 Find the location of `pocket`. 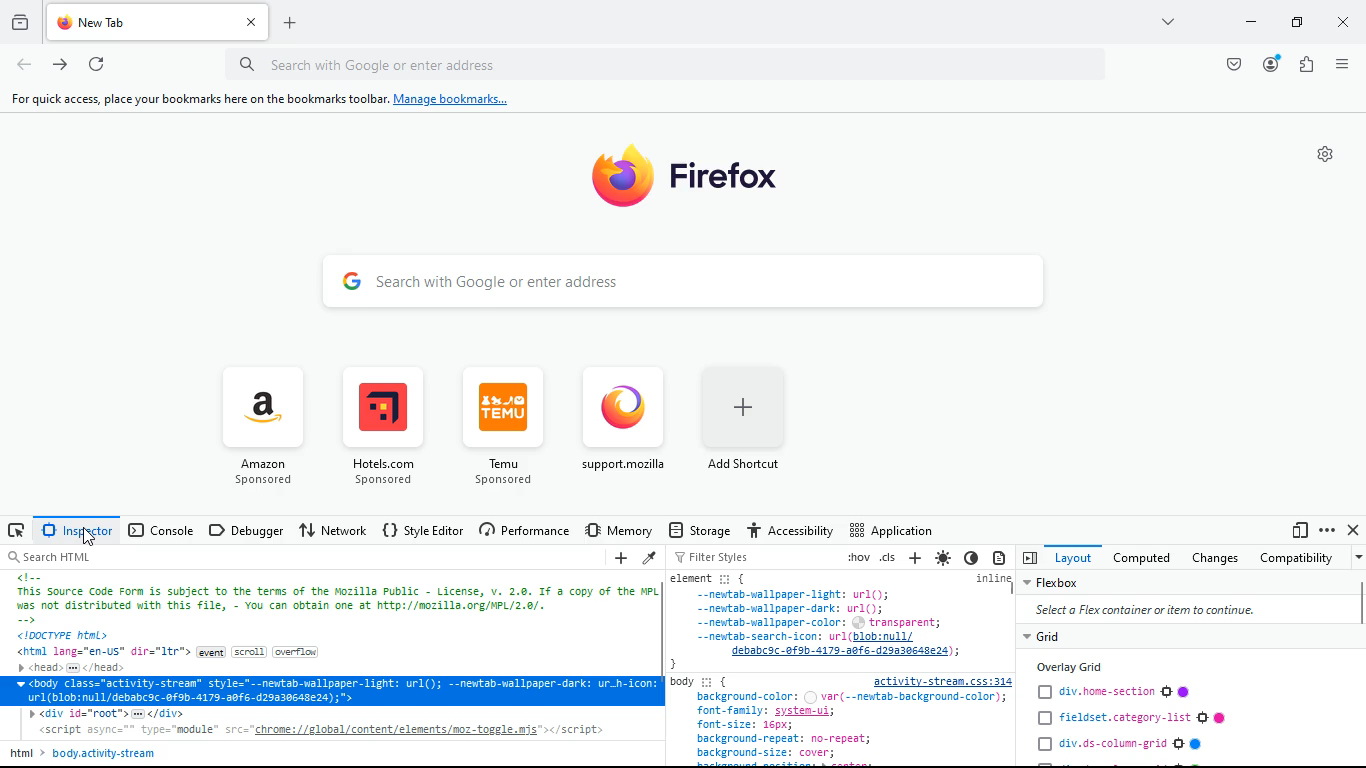

pocket is located at coordinates (1230, 64).